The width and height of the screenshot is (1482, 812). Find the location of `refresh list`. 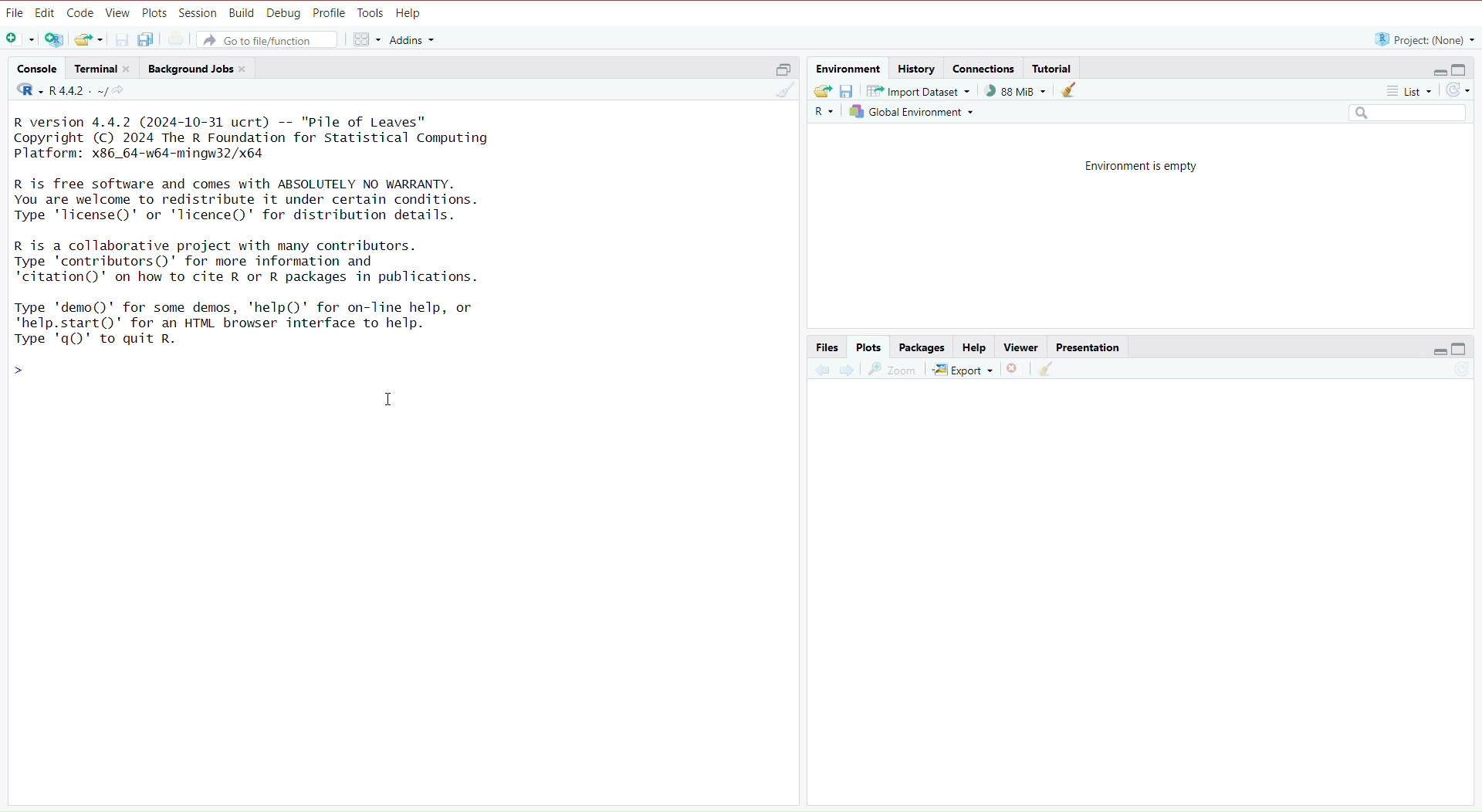

refresh list is located at coordinates (1458, 90).